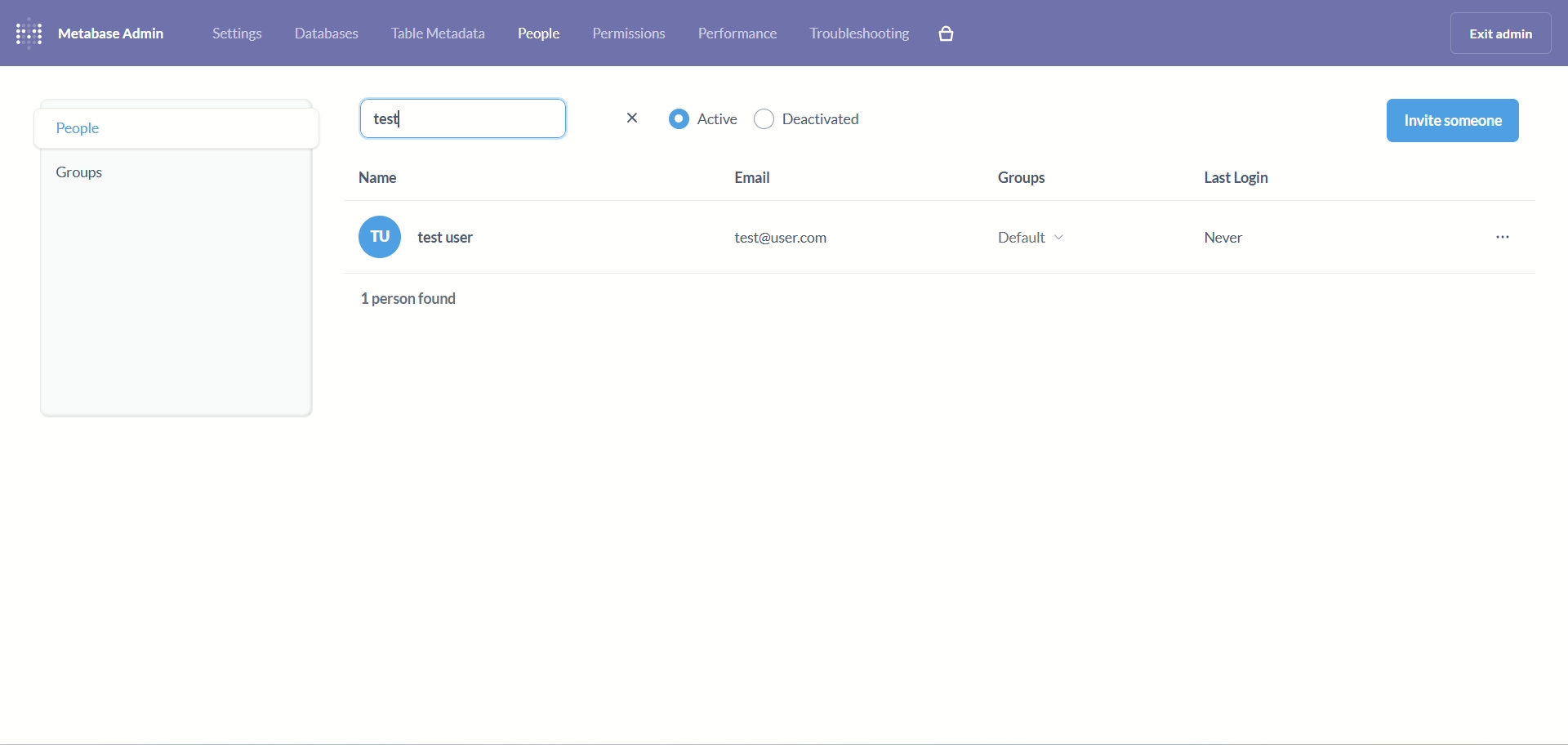  Describe the element at coordinates (540, 33) in the screenshot. I see `people` at that location.